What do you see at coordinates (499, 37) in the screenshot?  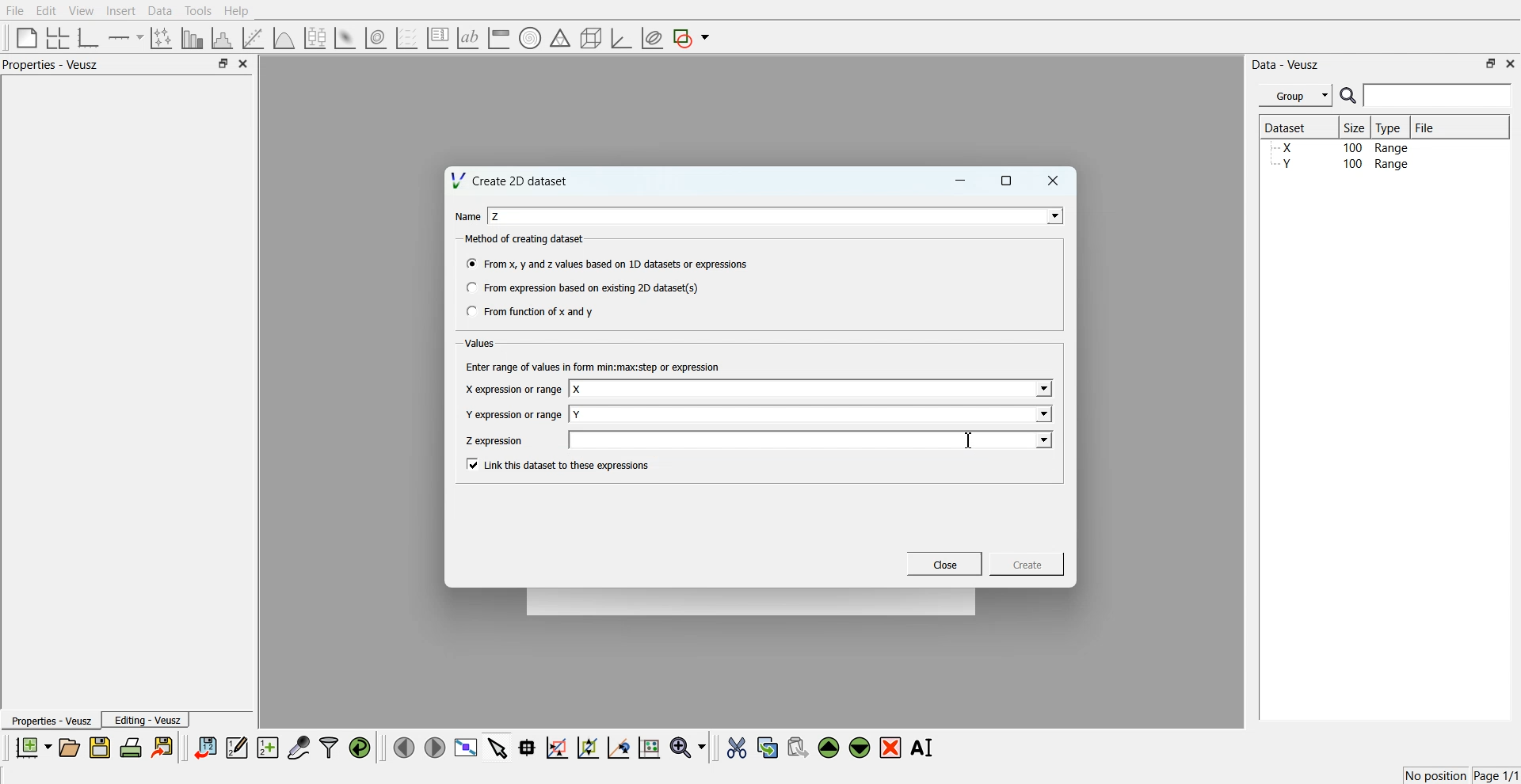 I see `Image color bar` at bounding box center [499, 37].